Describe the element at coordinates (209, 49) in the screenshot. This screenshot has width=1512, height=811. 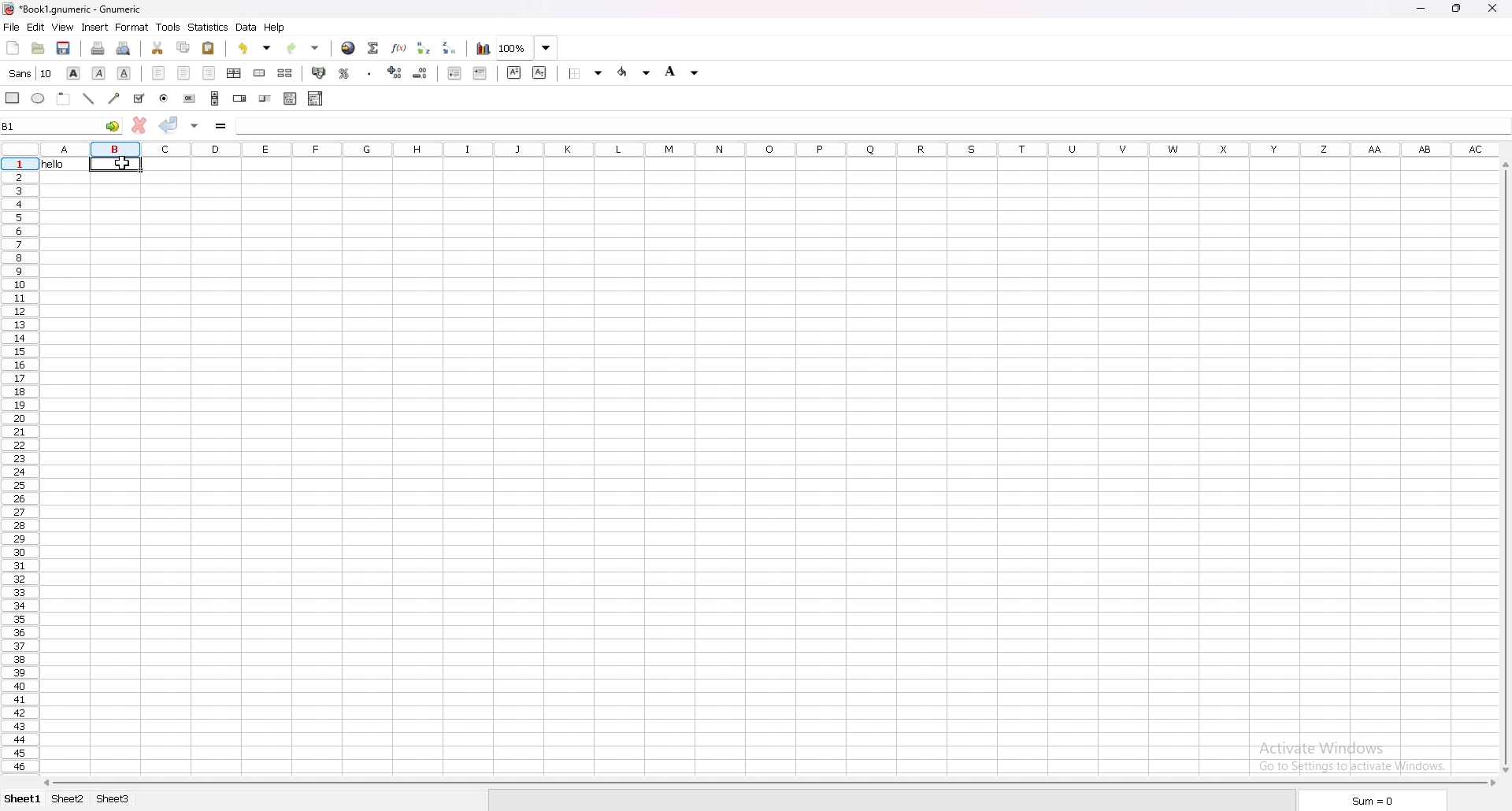
I see `paste` at that location.